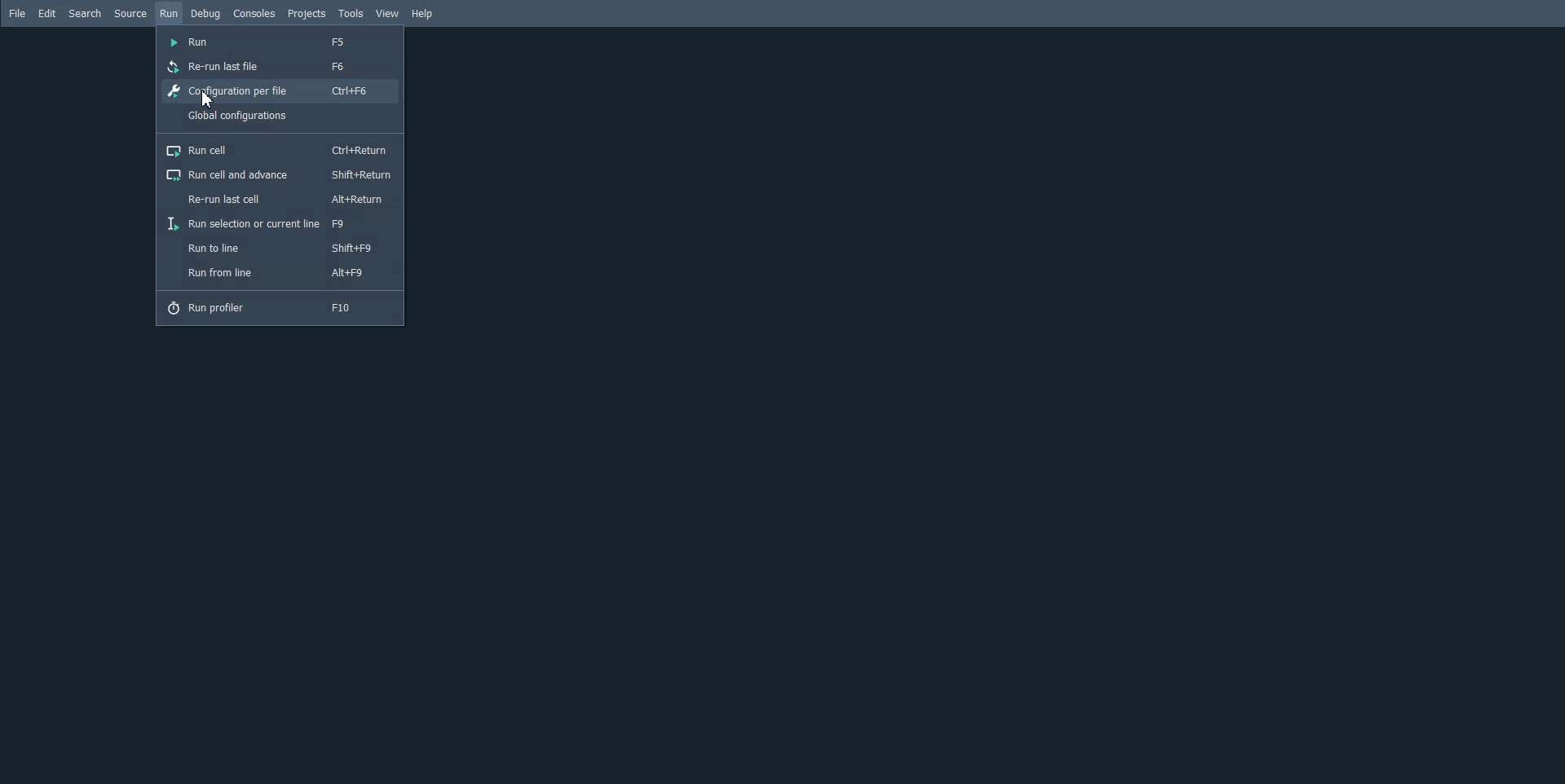  Describe the element at coordinates (280, 115) in the screenshot. I see `Global configuration` at that location.